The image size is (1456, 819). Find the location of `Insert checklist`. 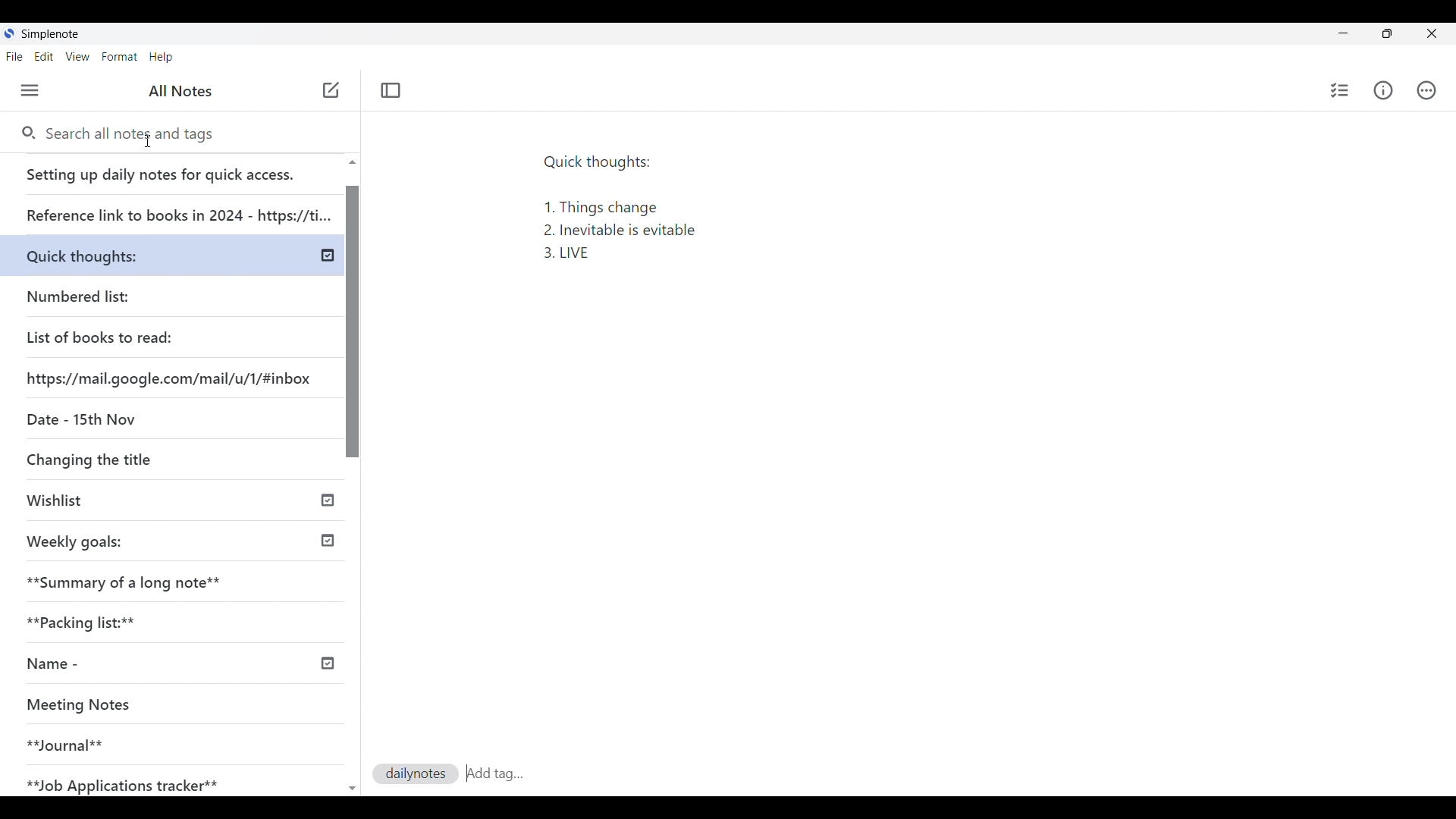

Insert checklist is located at coordinates (1339, 90).